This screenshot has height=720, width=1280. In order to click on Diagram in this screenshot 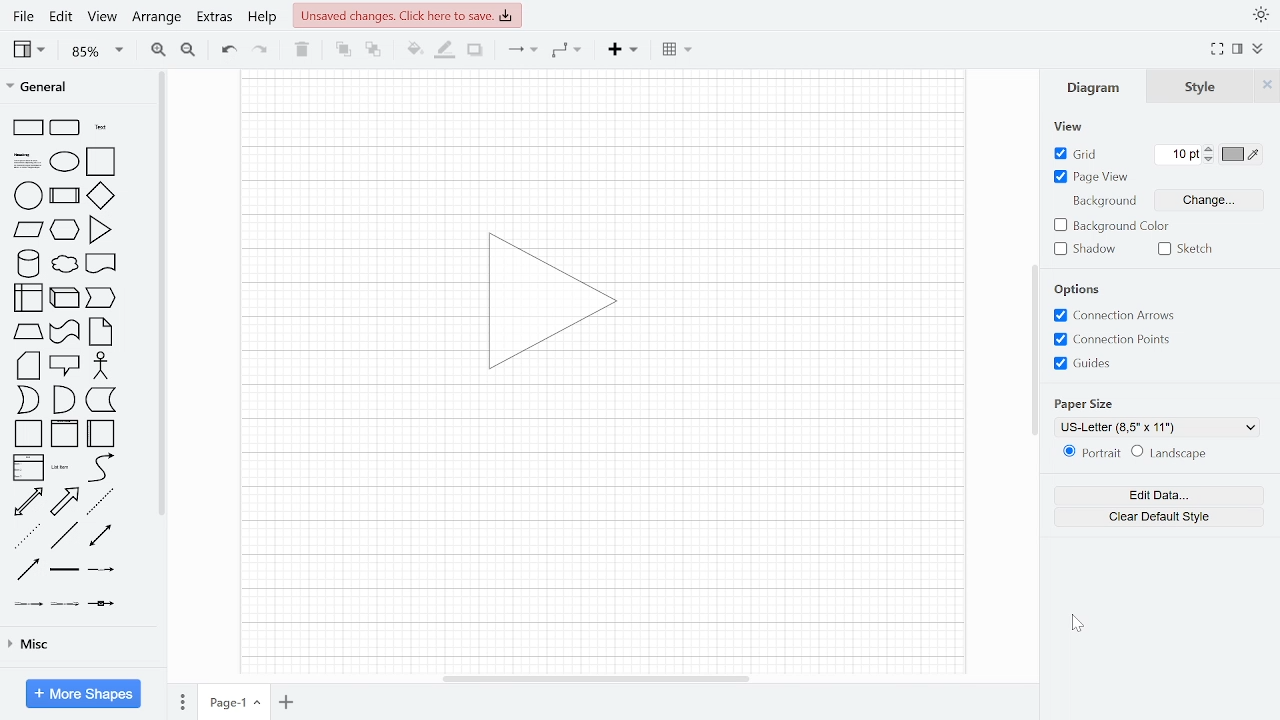, I will do `click(1094, 86)`.